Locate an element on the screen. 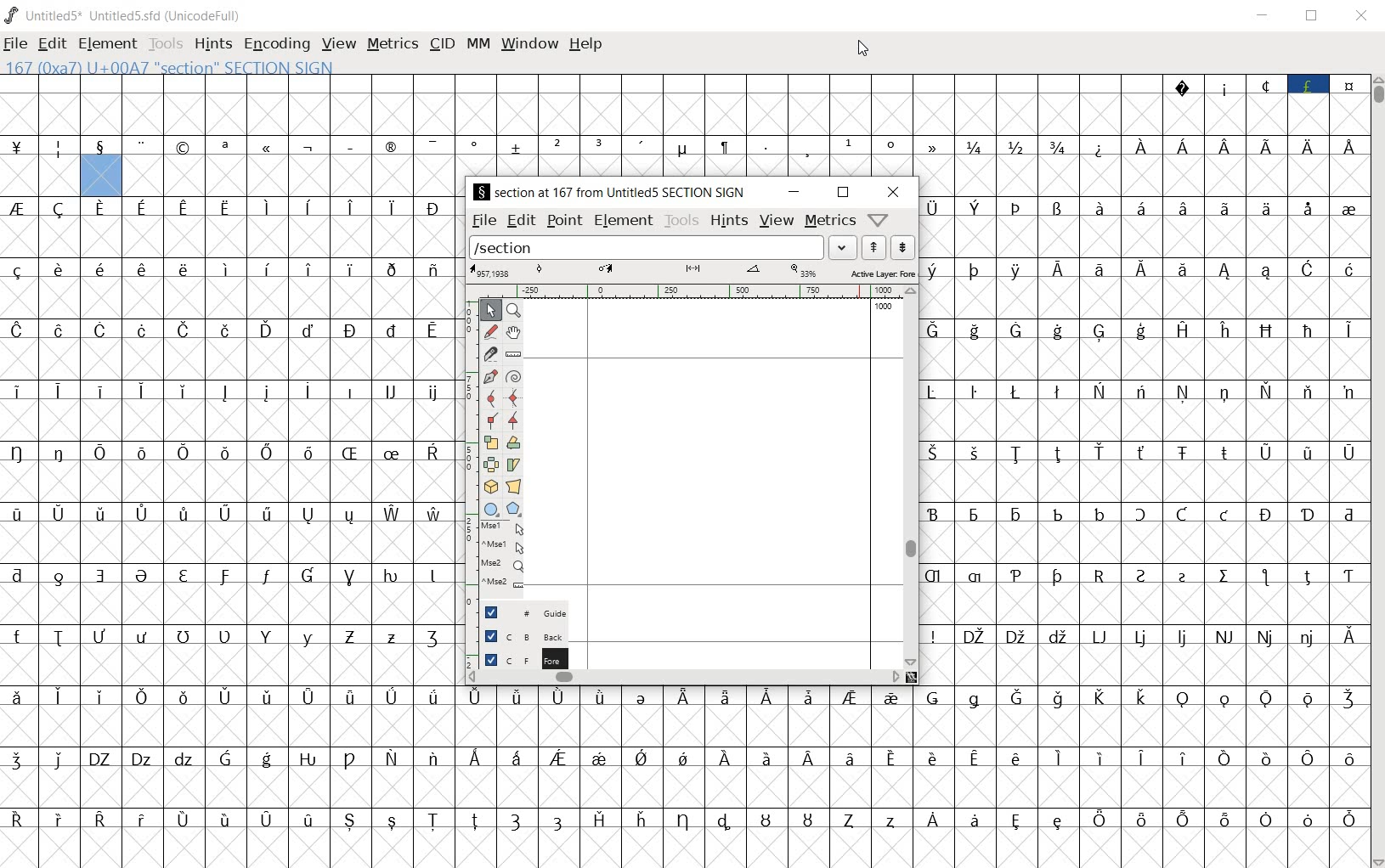  point is located at coordinates (563, 220).